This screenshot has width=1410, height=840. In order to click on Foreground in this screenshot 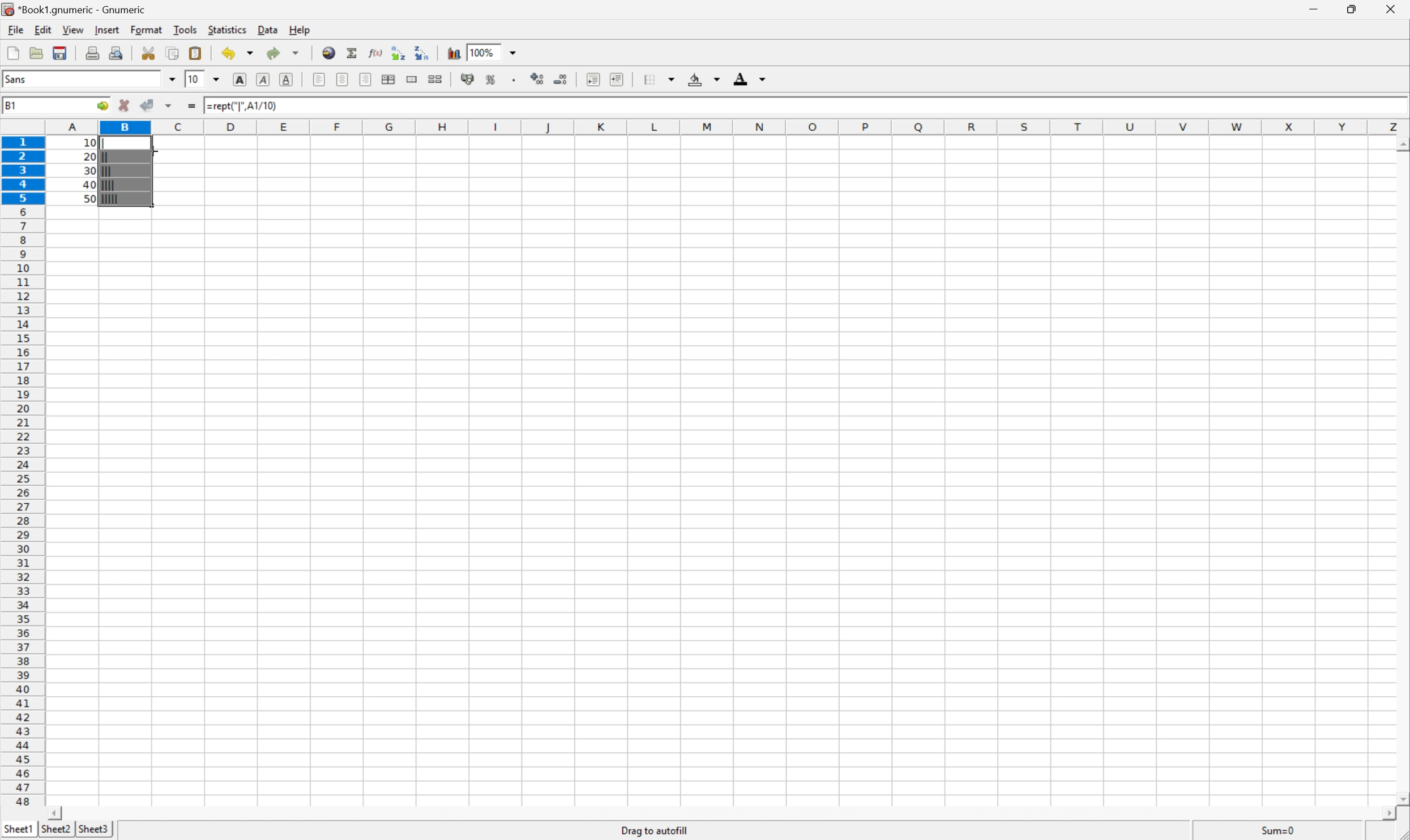, I will do `click(750, 78)`.